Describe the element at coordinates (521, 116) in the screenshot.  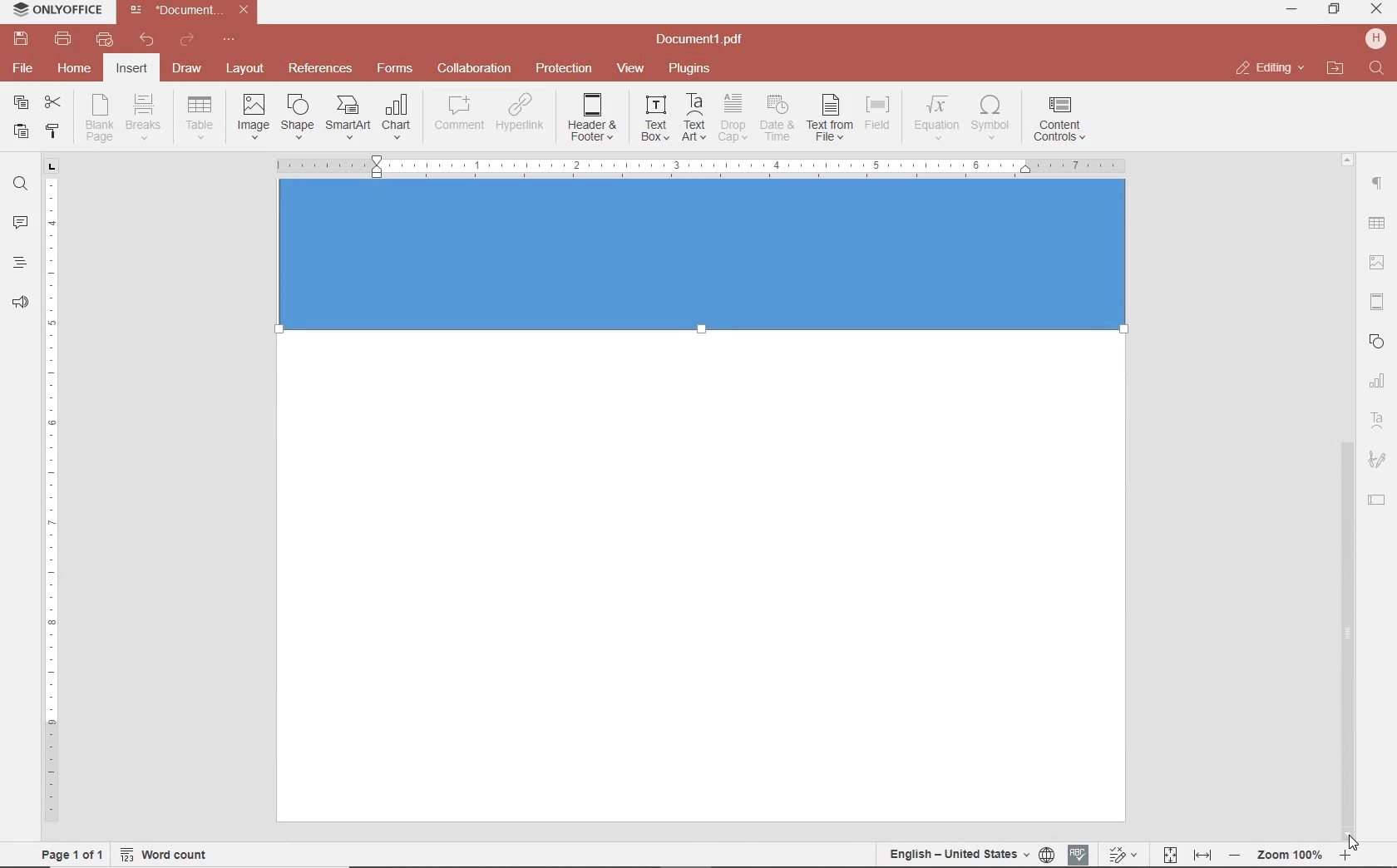
I see `ADD HYPERLINK` at that location.